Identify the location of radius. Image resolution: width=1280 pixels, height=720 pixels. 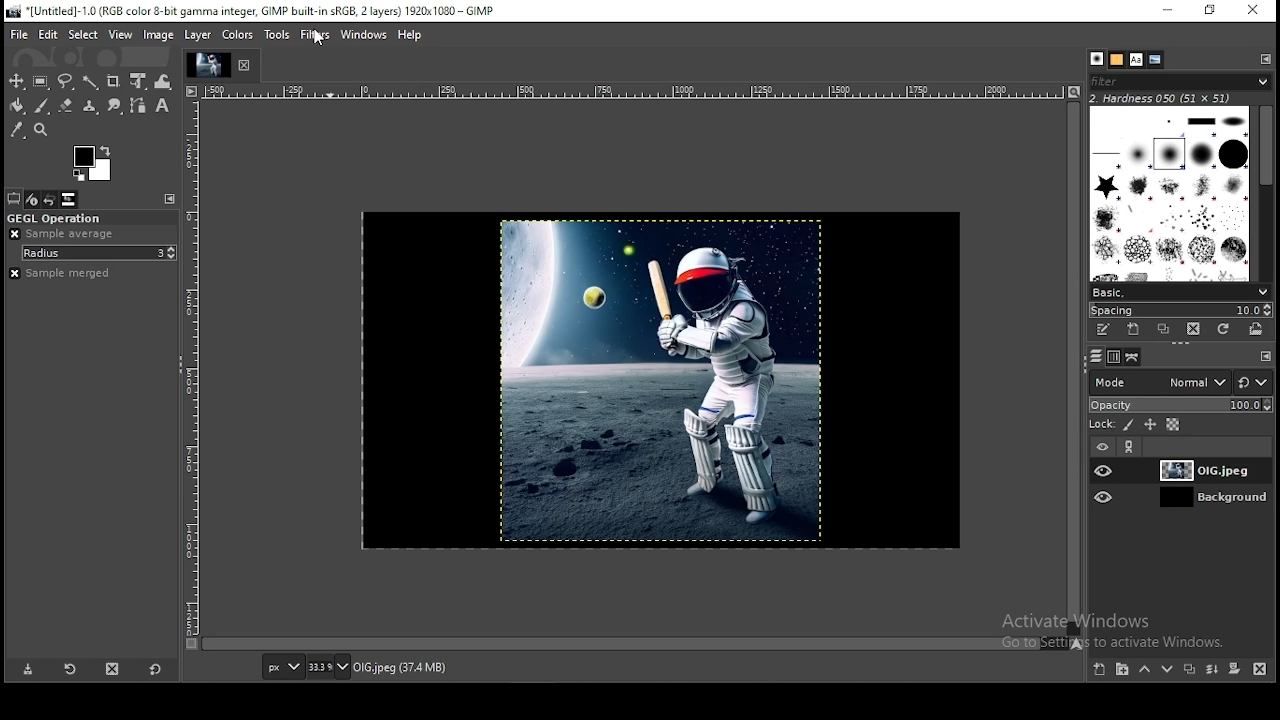
(100, 253).